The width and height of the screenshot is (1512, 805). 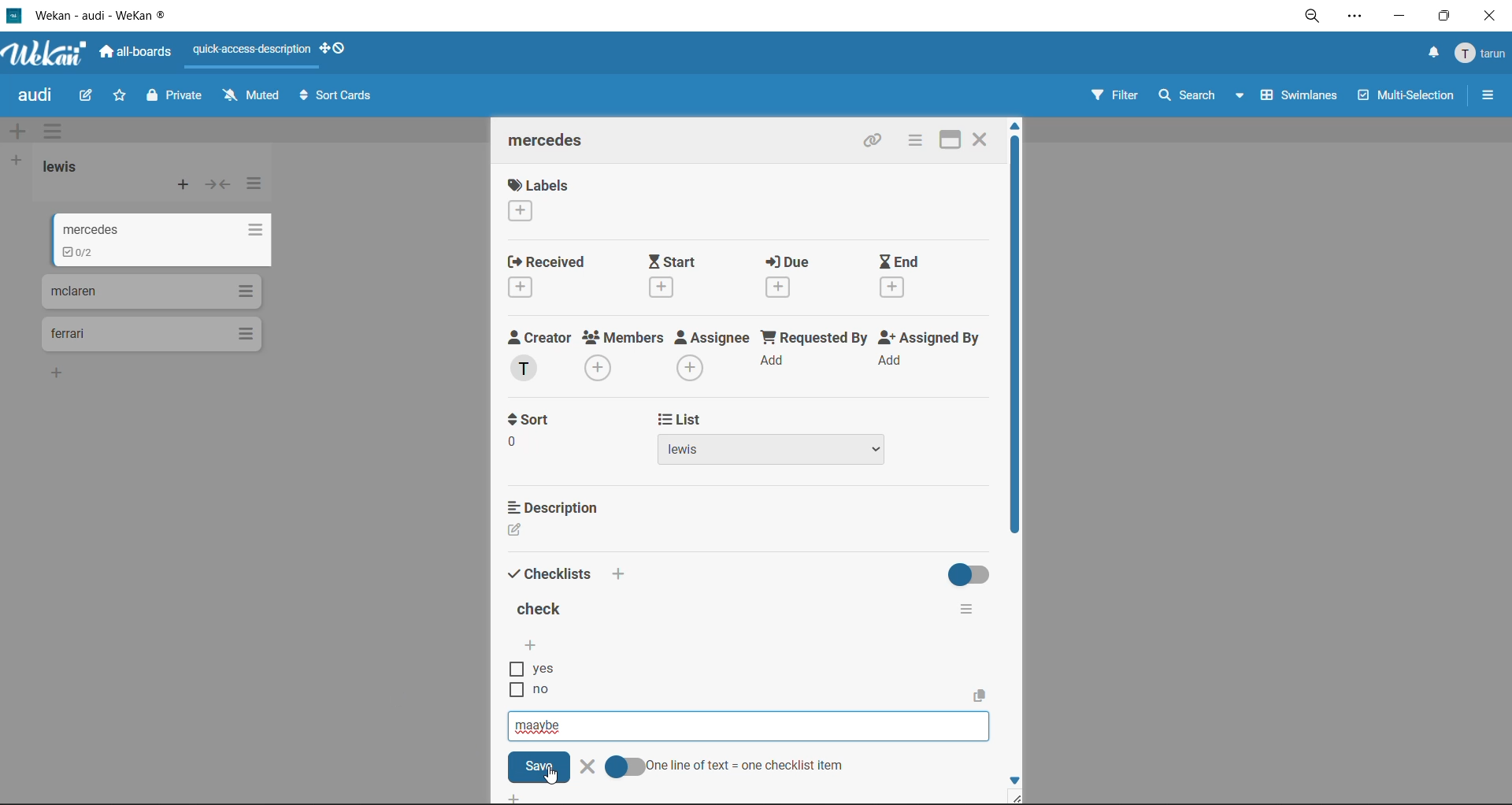 I want to click on Mouse Cursor, so click(x=554, y=777).